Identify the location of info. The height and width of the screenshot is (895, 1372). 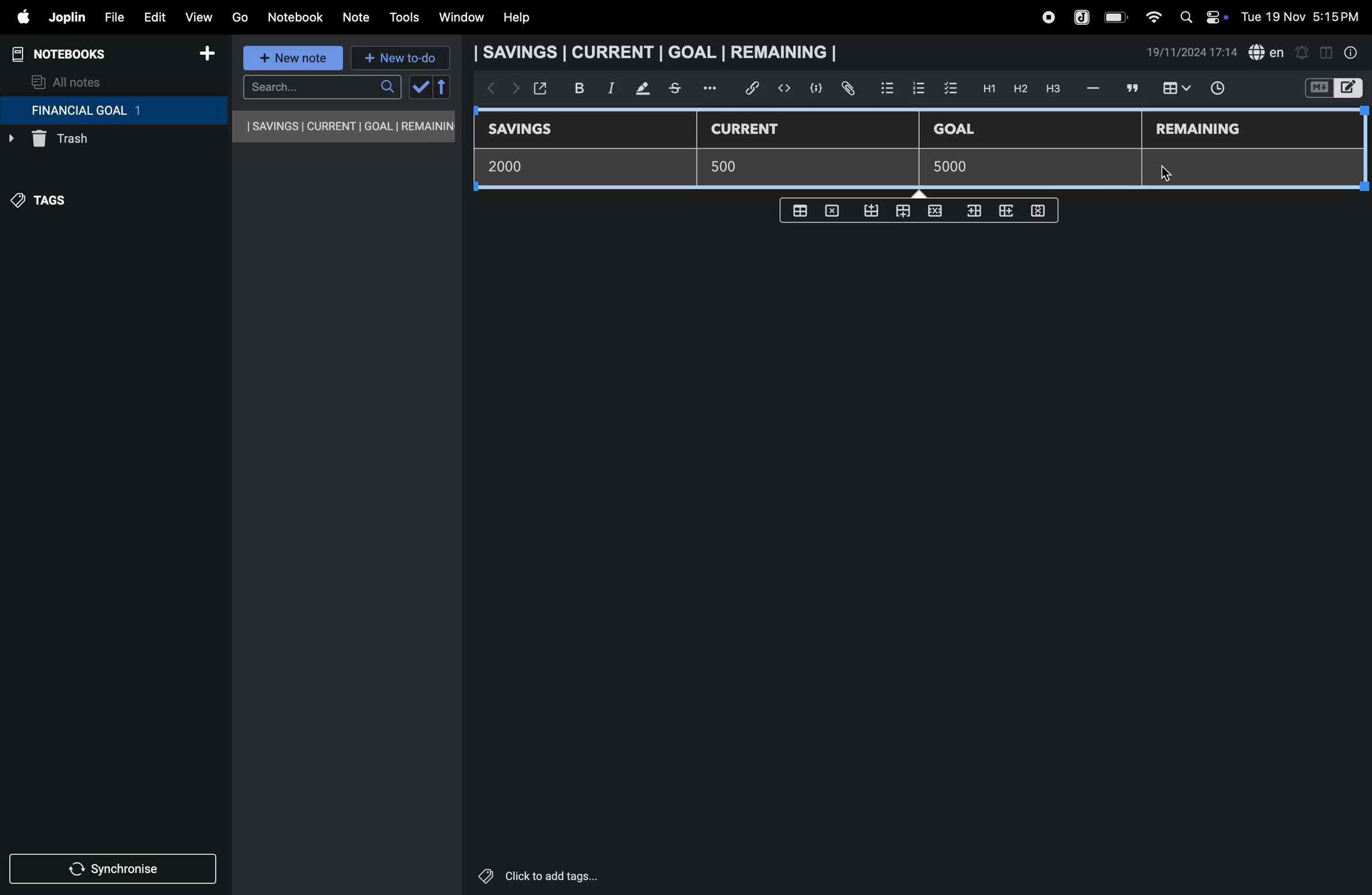
(1352, 52).